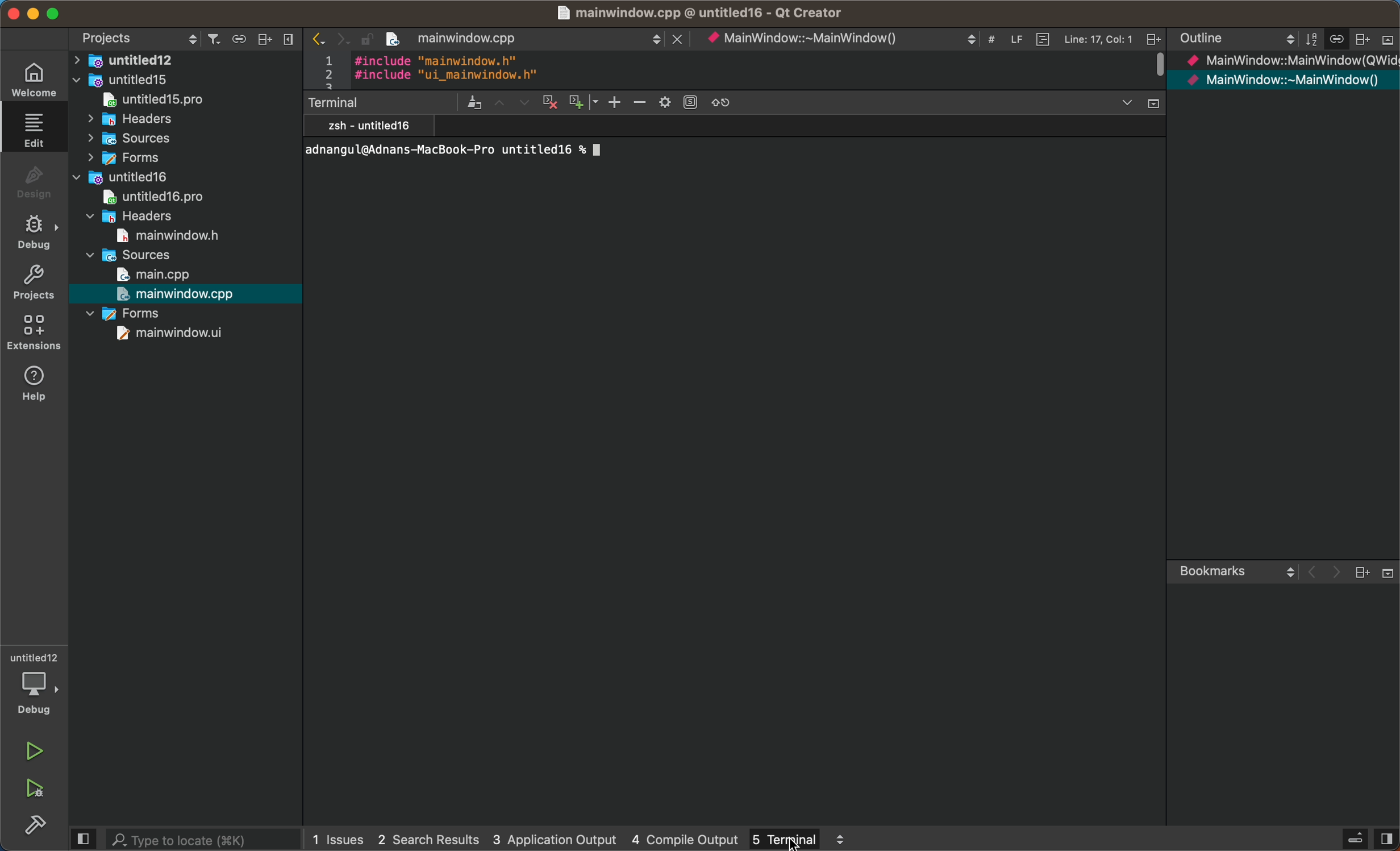 The image size is (1400, 851). I want to click on help, so click(39, 384).